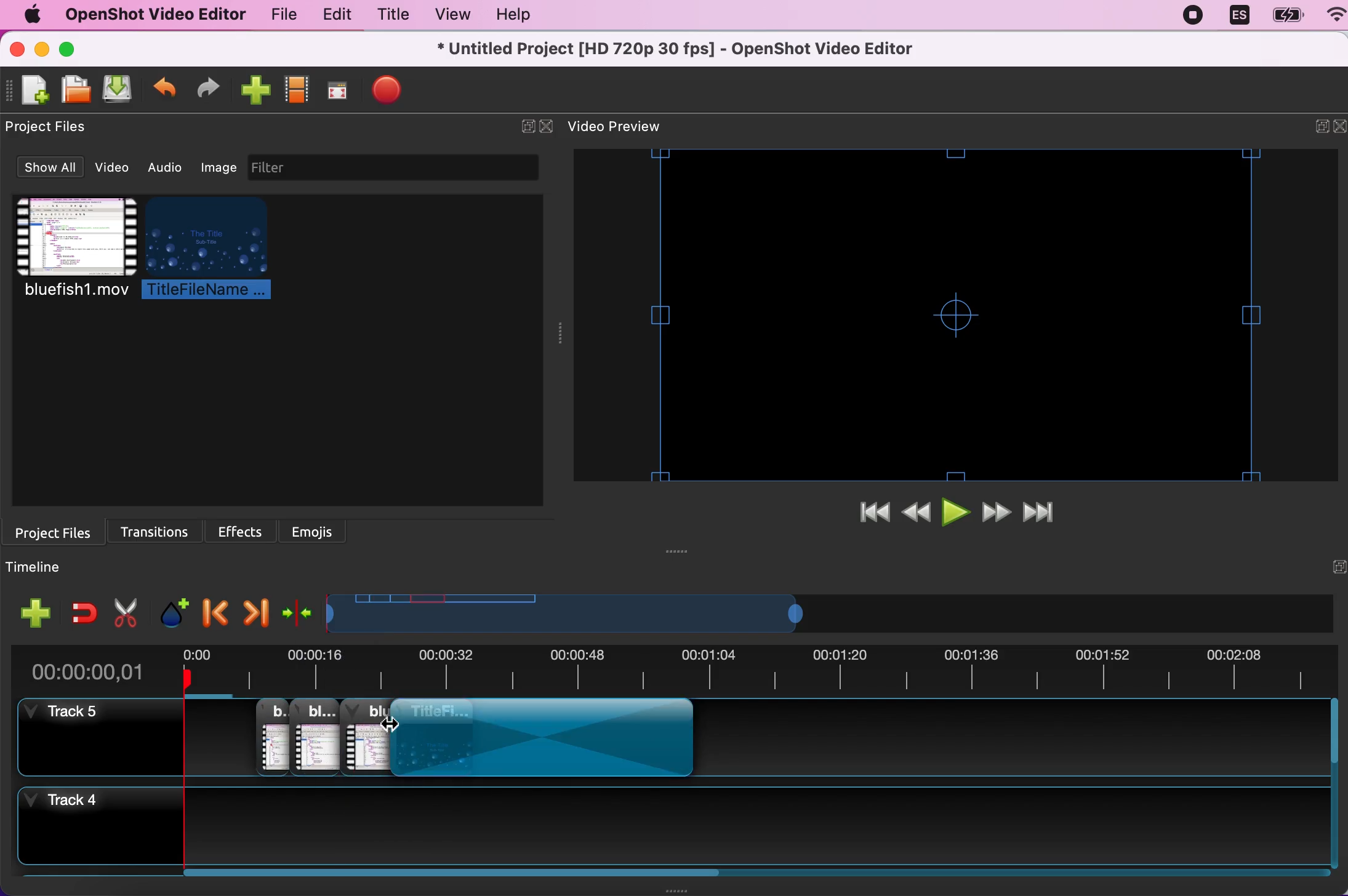  What do you see at coordinates (37, 613) in the screenshot?
I see `add track` at bounding box center [37, 613].